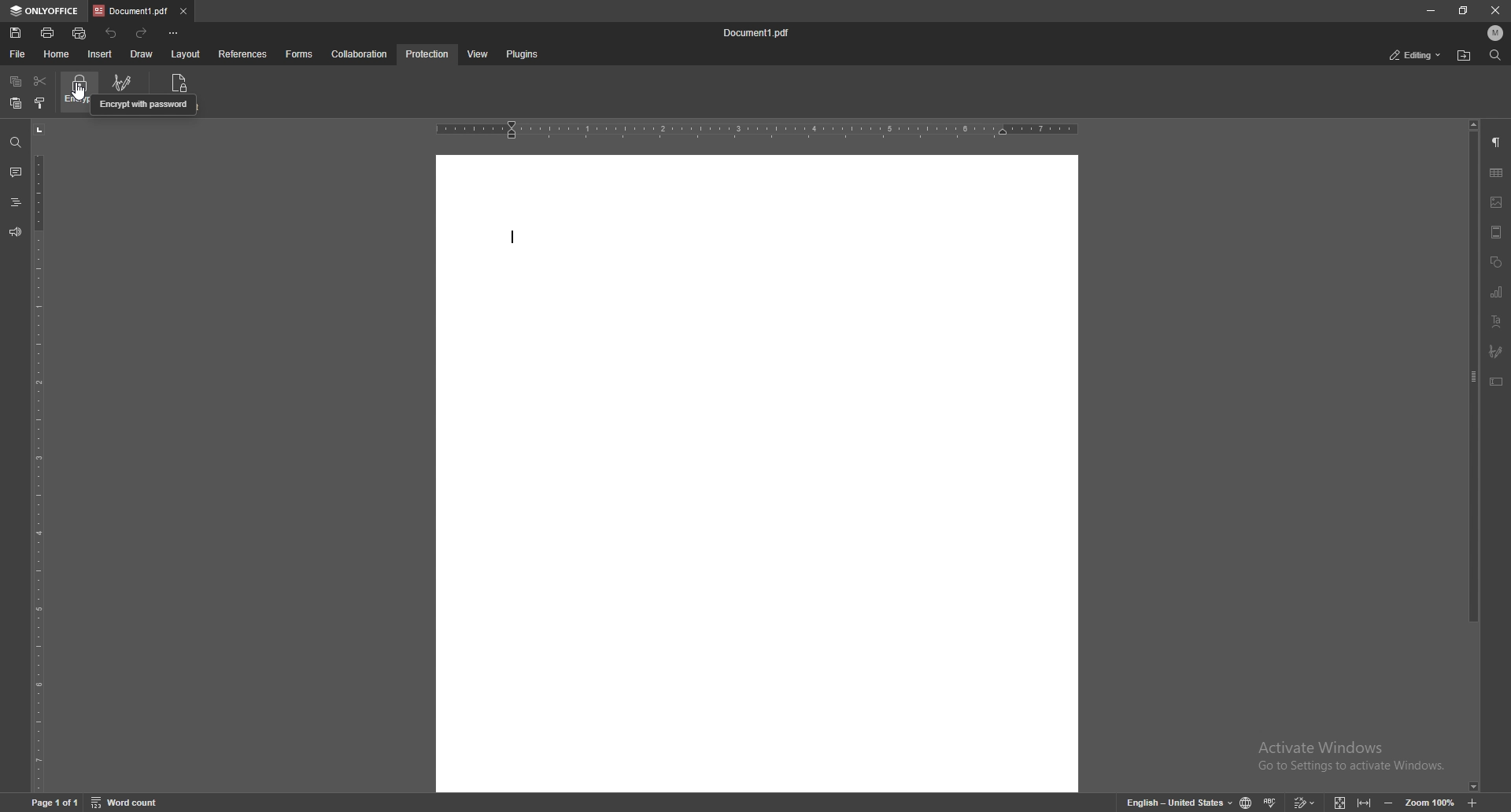  Describe the element at coordinates (1416, 55) in the screenshot. I see `status` at that location.